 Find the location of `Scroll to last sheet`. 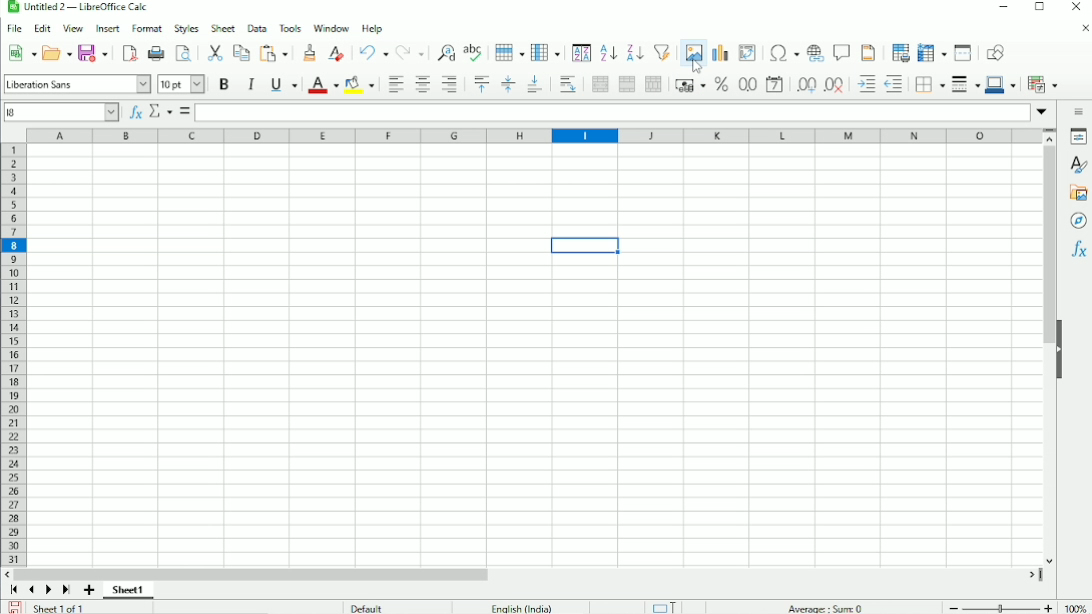

Scroll to last sheet is located at coordinates (67, 590).